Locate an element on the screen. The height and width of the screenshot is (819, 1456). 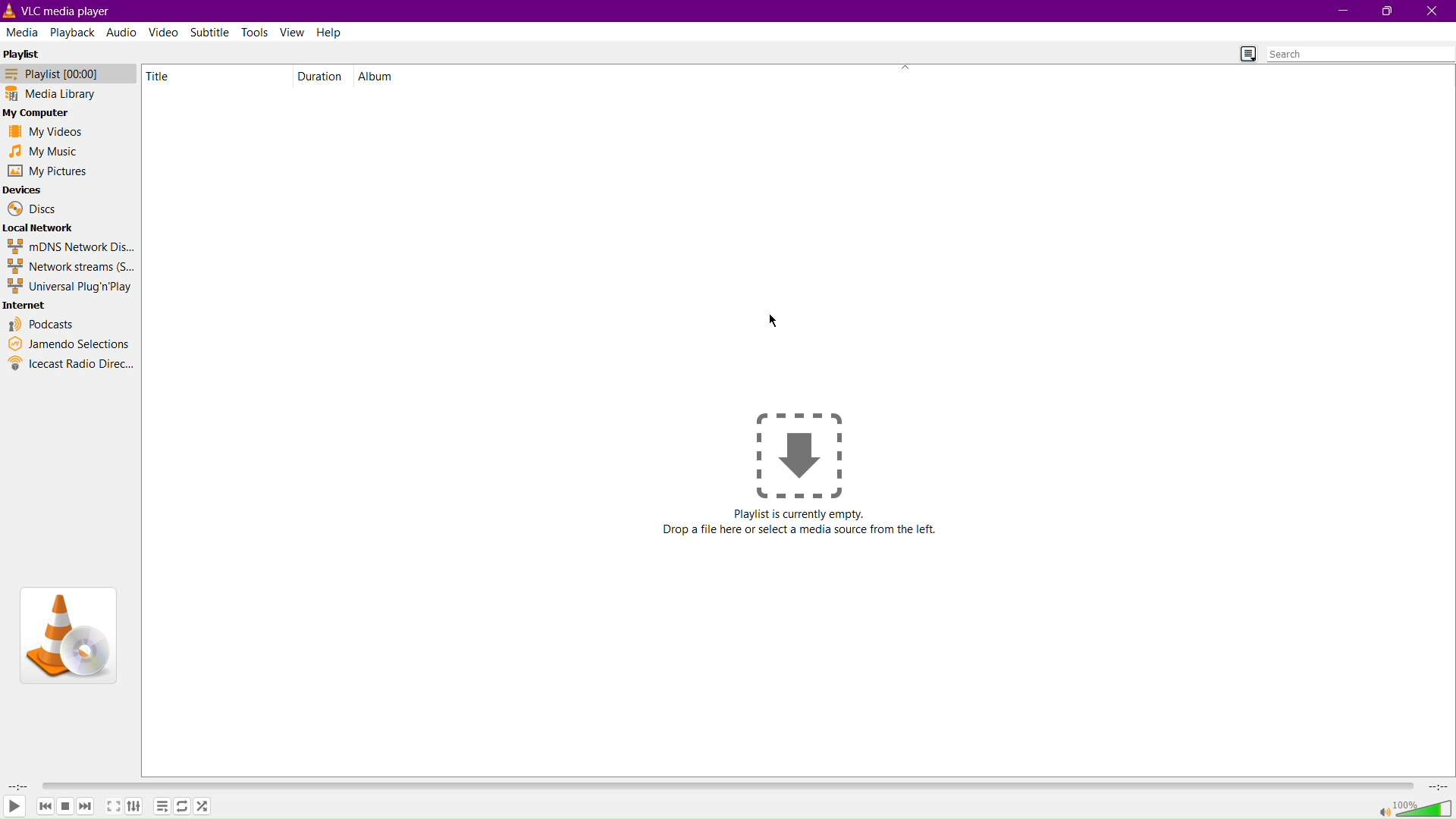
Internet is located at coordinates (27, 306).